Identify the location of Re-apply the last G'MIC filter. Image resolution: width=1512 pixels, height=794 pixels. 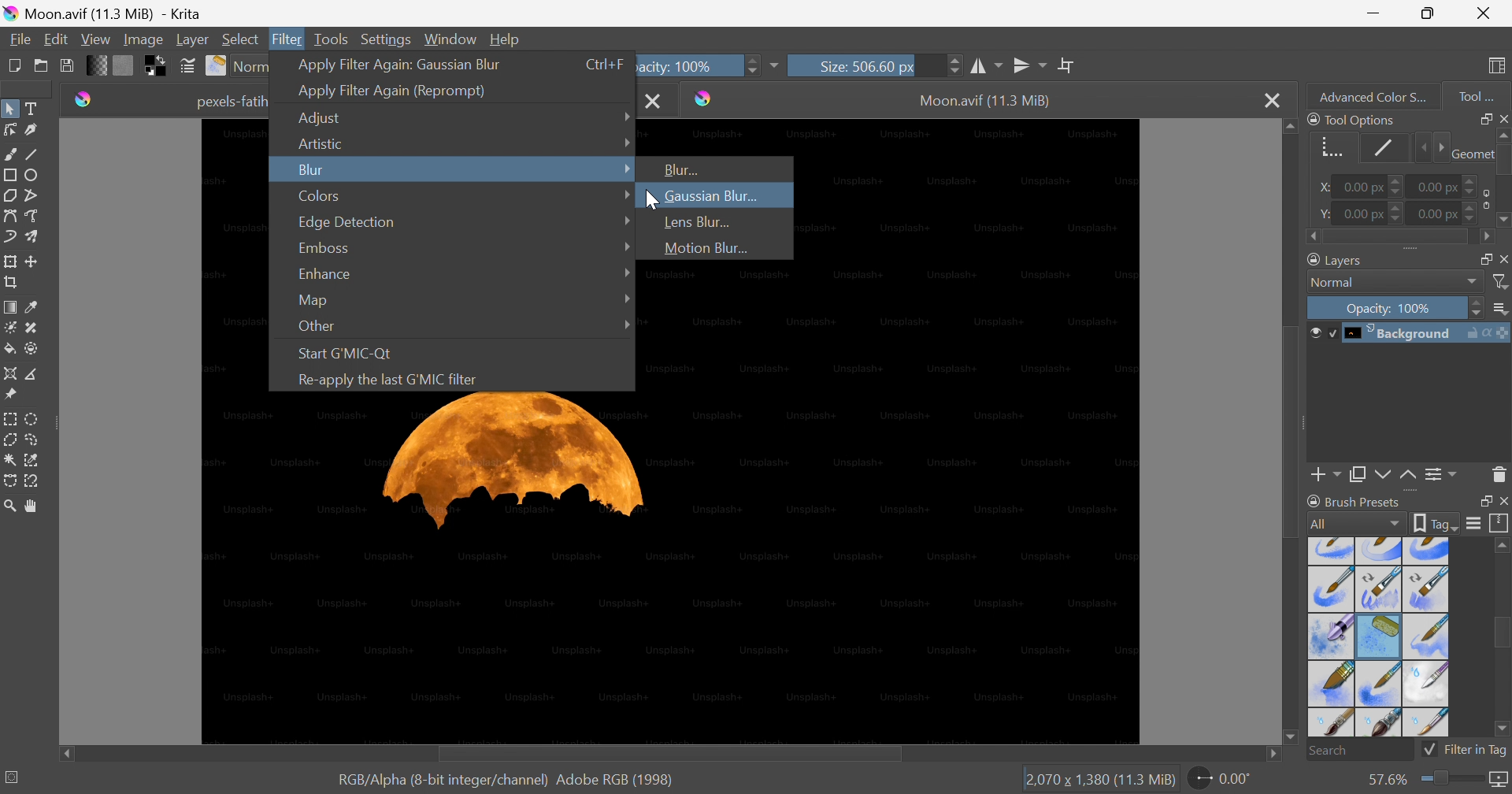
(391, 381).